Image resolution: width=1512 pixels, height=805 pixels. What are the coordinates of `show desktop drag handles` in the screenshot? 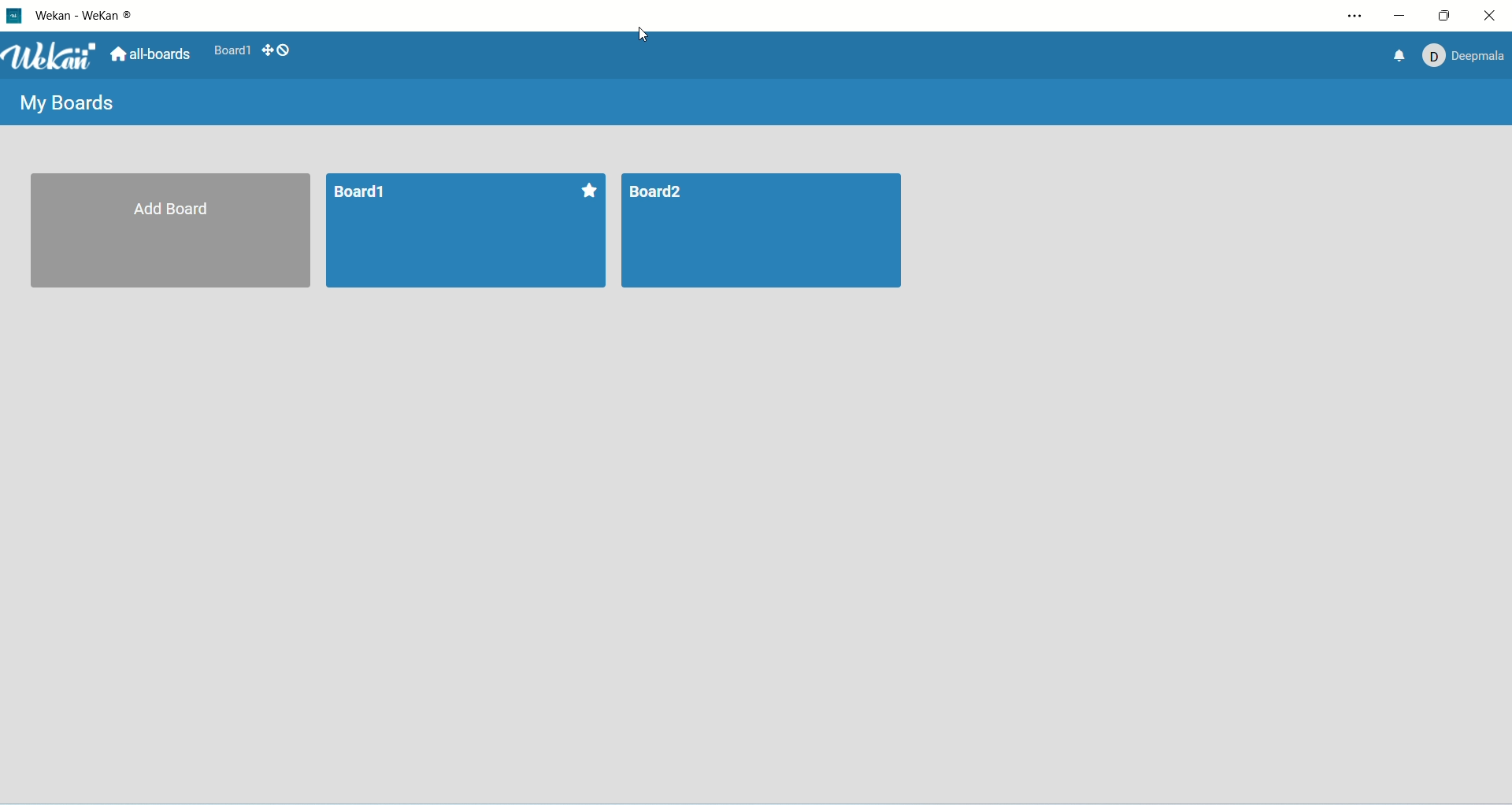 It's located at (284, 51).